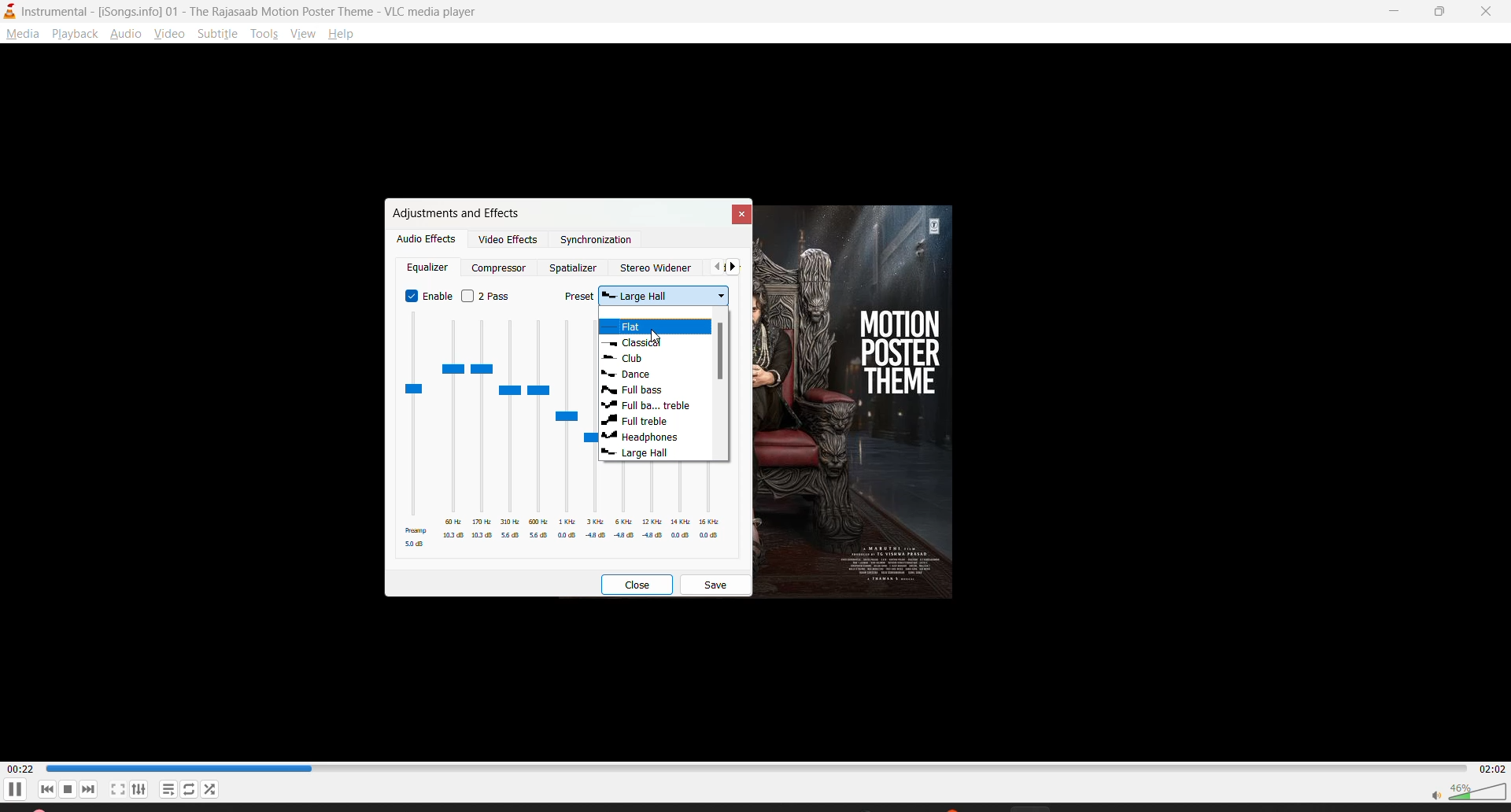  What do you see at coordinates (635, 585) in the screenshot?
I see `close` at bounding box center [635, 585].